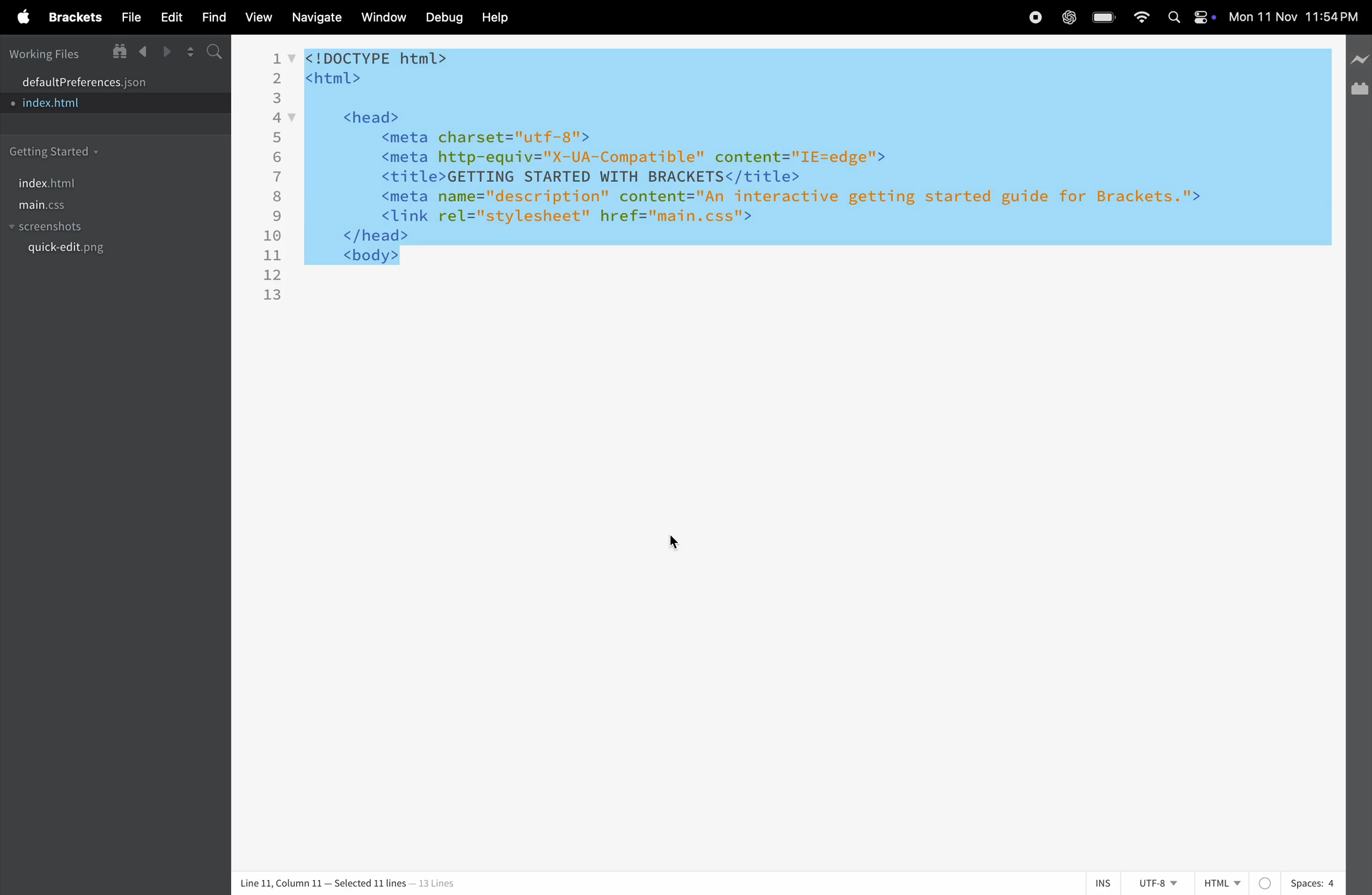 The height and width of the screenshot is (895, 1372). Describe the element at coordinates (45, 53) in the screenshot. I see `working files` at that location.